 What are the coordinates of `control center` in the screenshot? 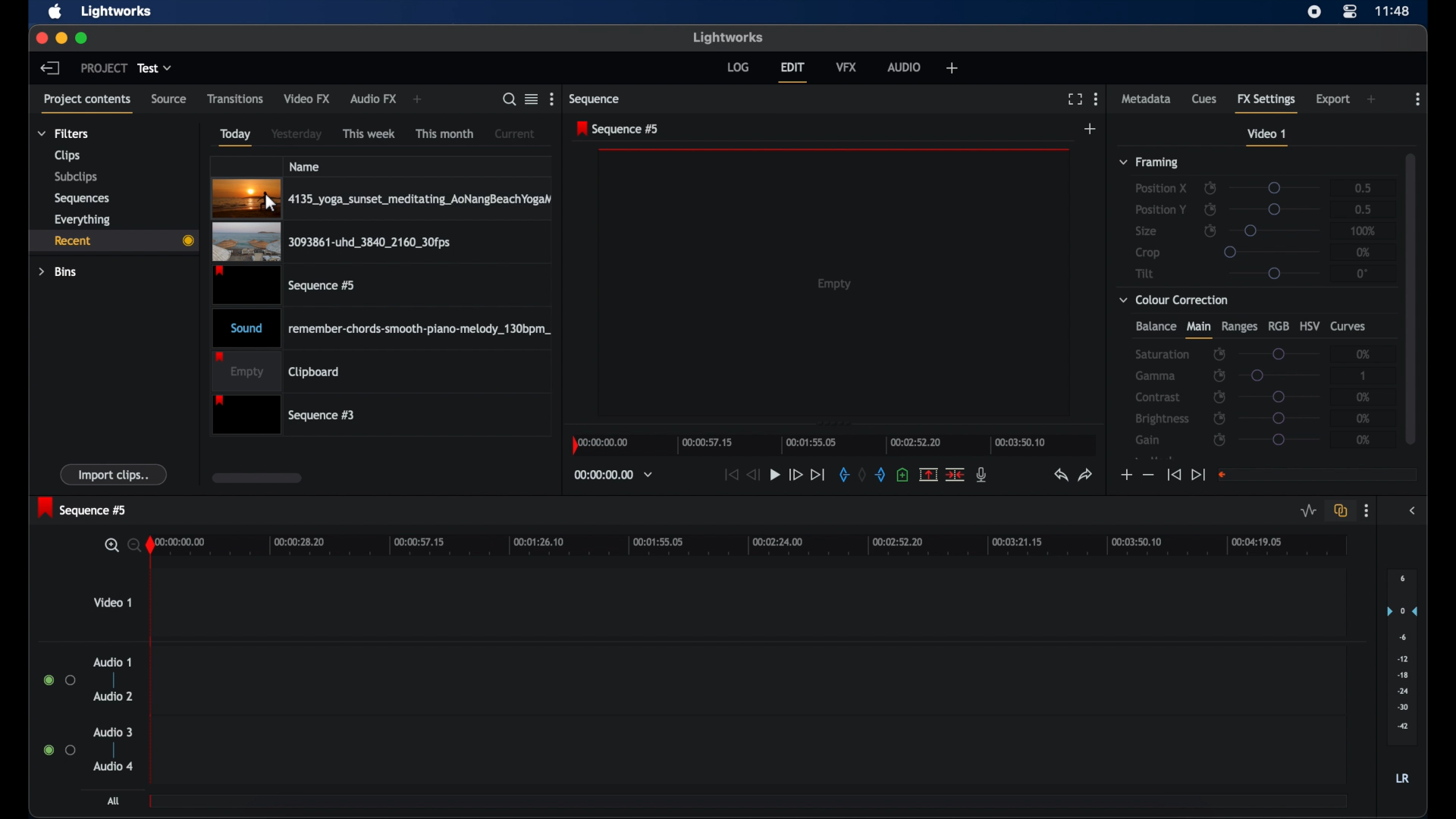 It's located at (1351, 11).